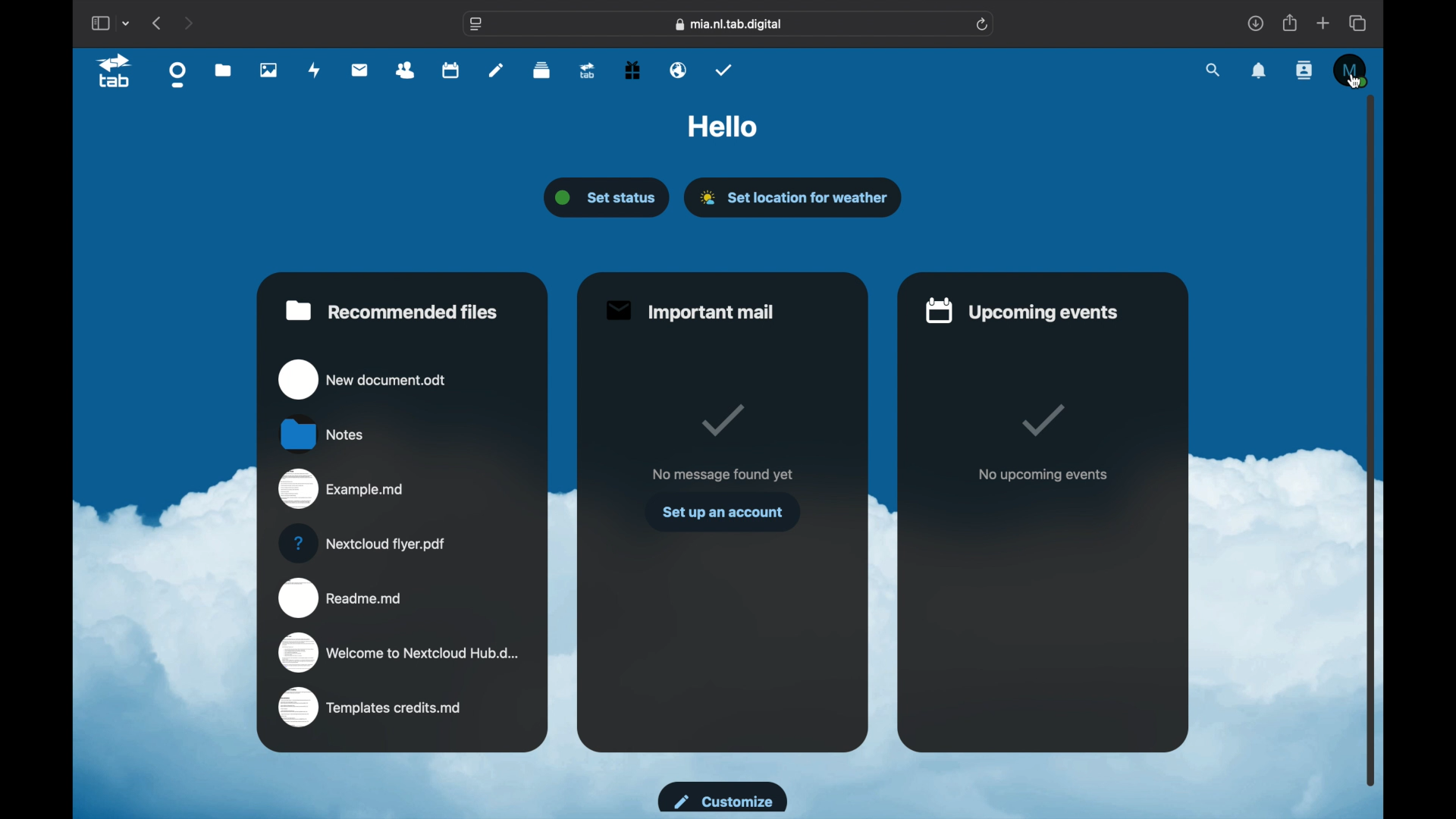 This screenshot has height=819, width=1456. I want to click on readme.md, so click(343, 598).